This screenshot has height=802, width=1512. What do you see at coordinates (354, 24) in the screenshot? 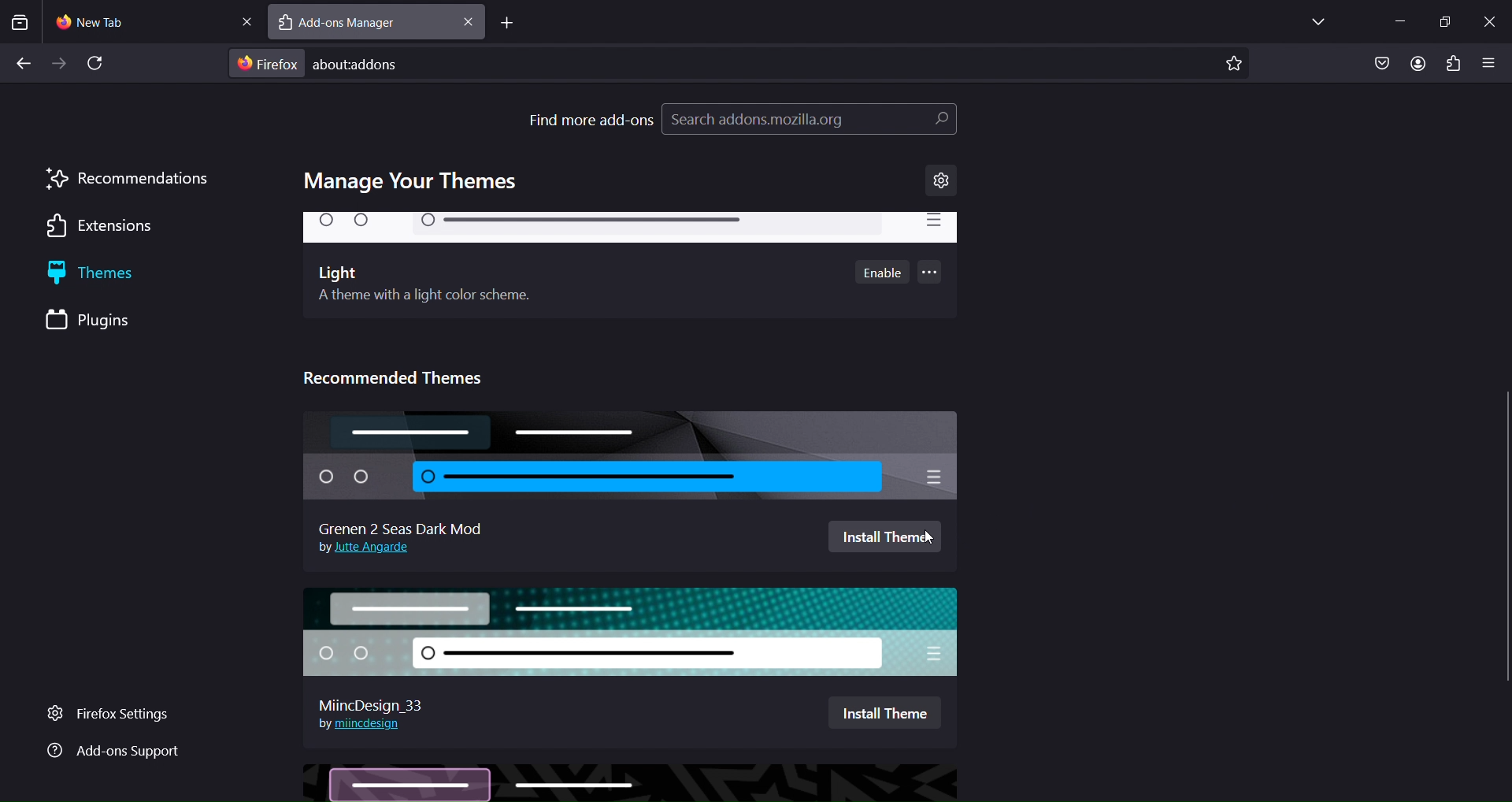
I see `add ons manager` at bounding box center [354, 24].